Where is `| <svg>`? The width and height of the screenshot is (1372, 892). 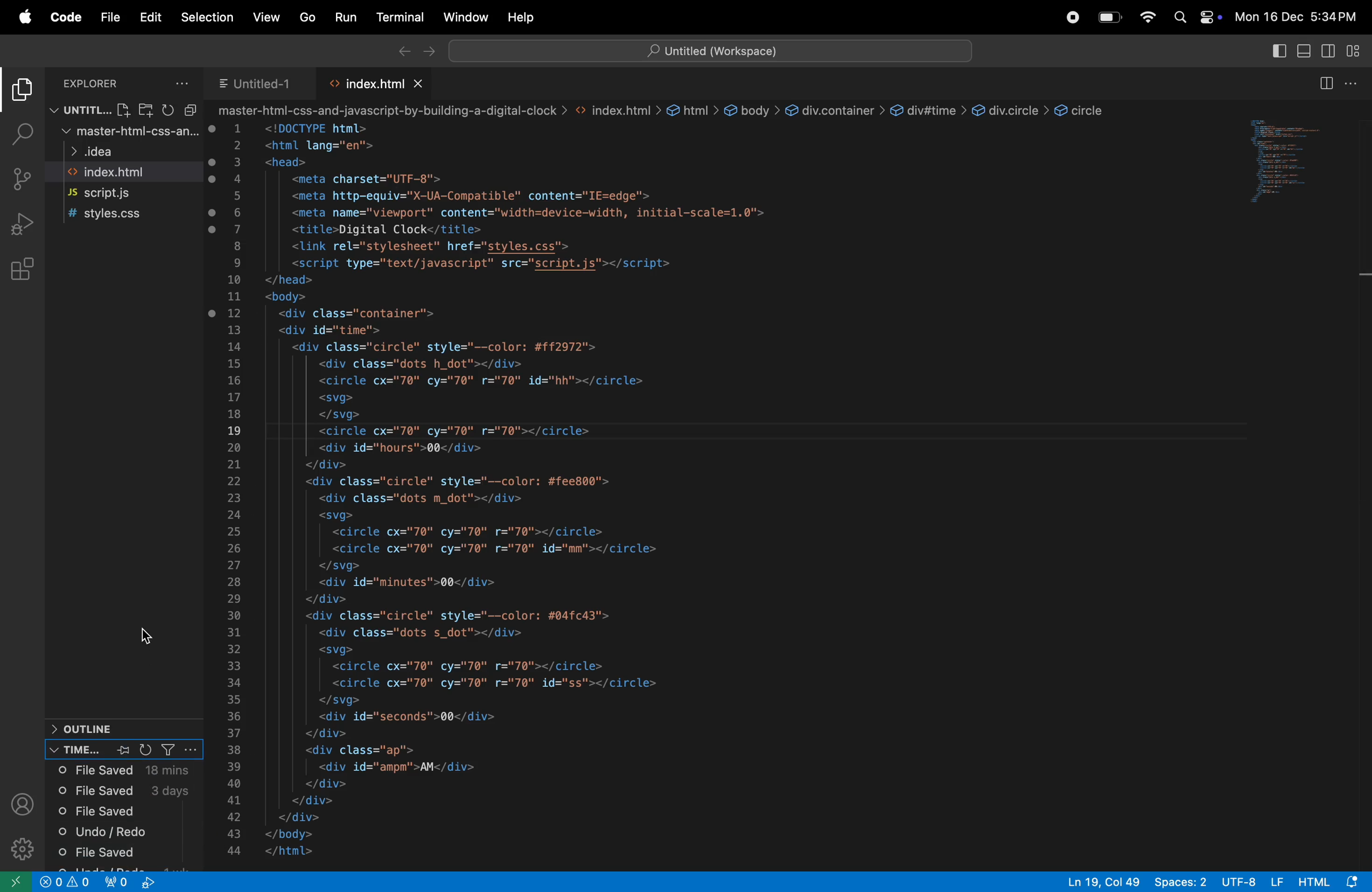
| <svg> is located at coordinates (333, 398).